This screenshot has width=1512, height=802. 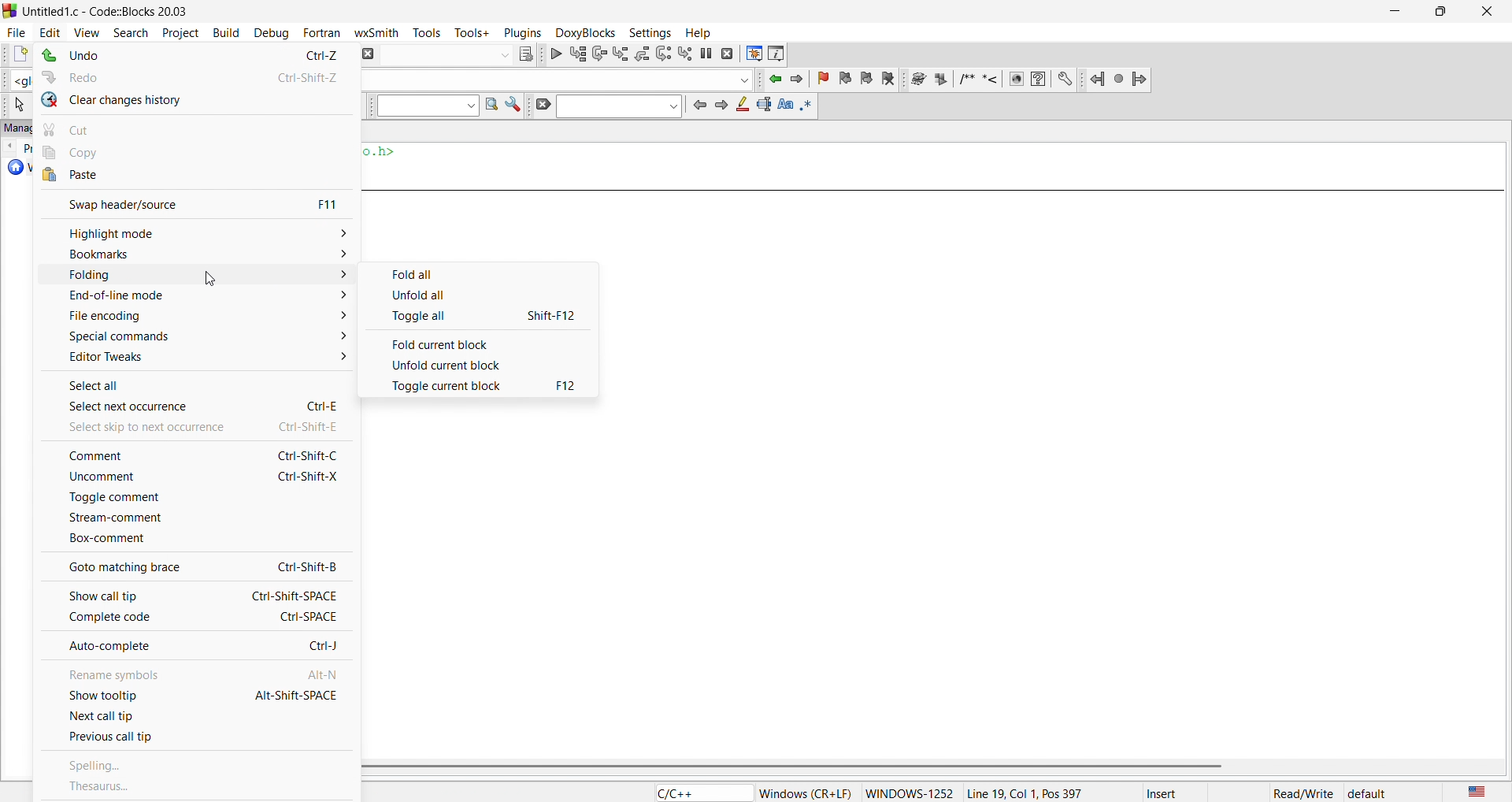 I want to click on run to cursor, so click(x=577, y=54).